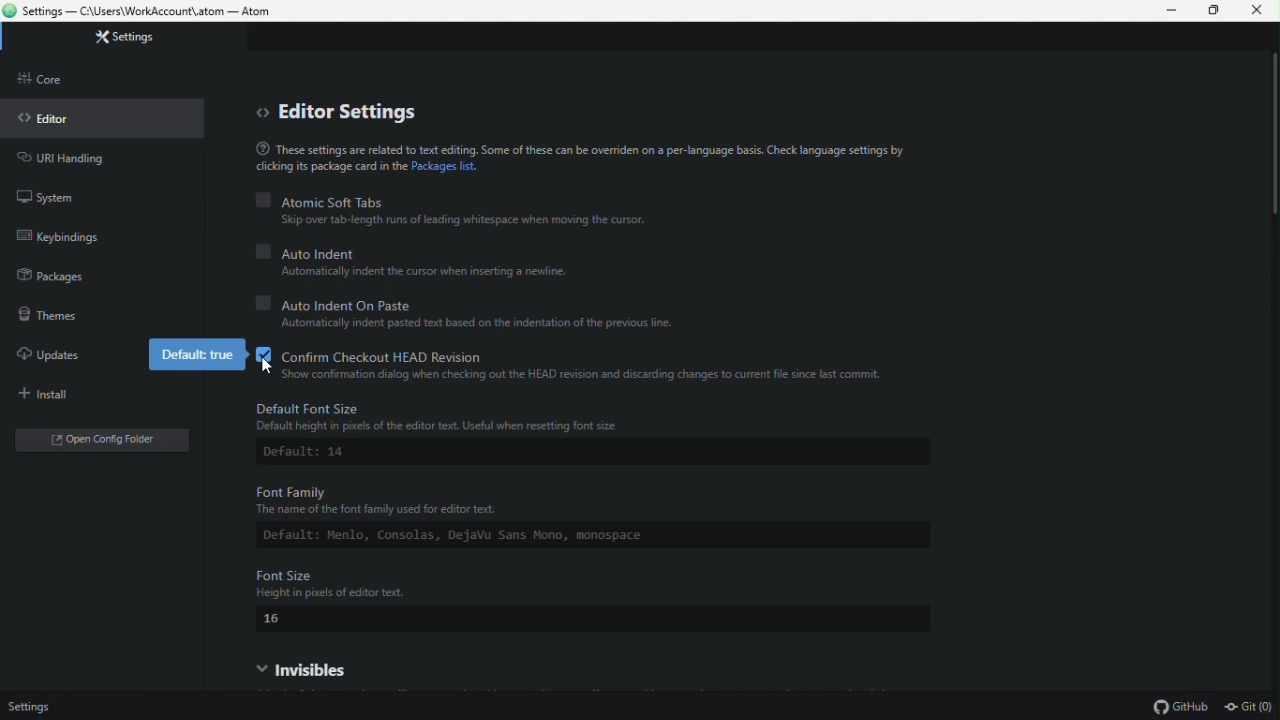 The width and height of the screenshot is (1280, 720). Describe the element at coordinates (323, 453) in the screenshot. I see `Default: 14` at that location.